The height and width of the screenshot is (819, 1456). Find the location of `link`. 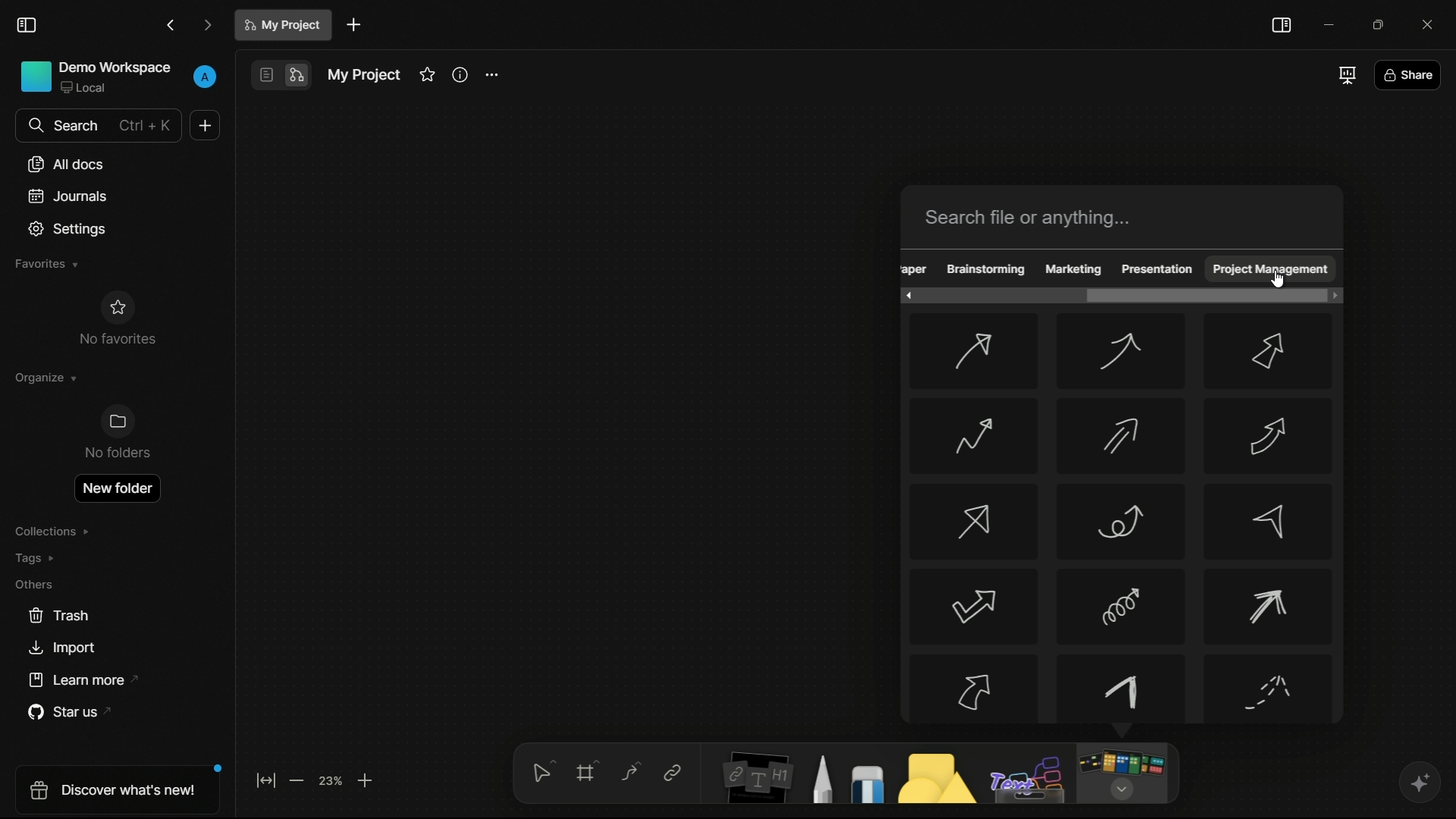

link is located at coordinates (672, 773).